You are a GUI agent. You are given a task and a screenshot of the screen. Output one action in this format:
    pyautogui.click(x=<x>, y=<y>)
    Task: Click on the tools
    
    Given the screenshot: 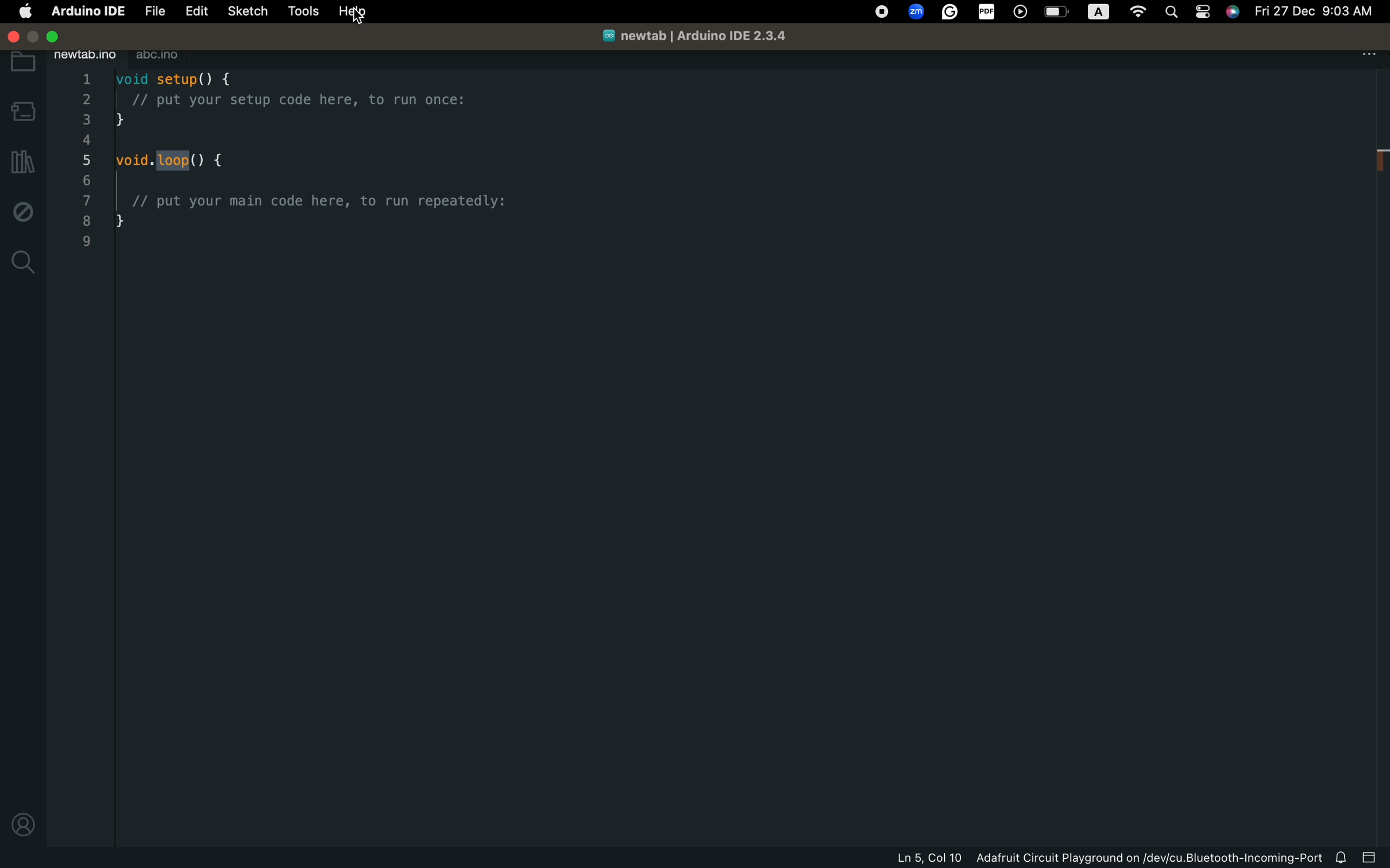 What is the action you would take?
    pyautogui.click(x=303, y=12)
    